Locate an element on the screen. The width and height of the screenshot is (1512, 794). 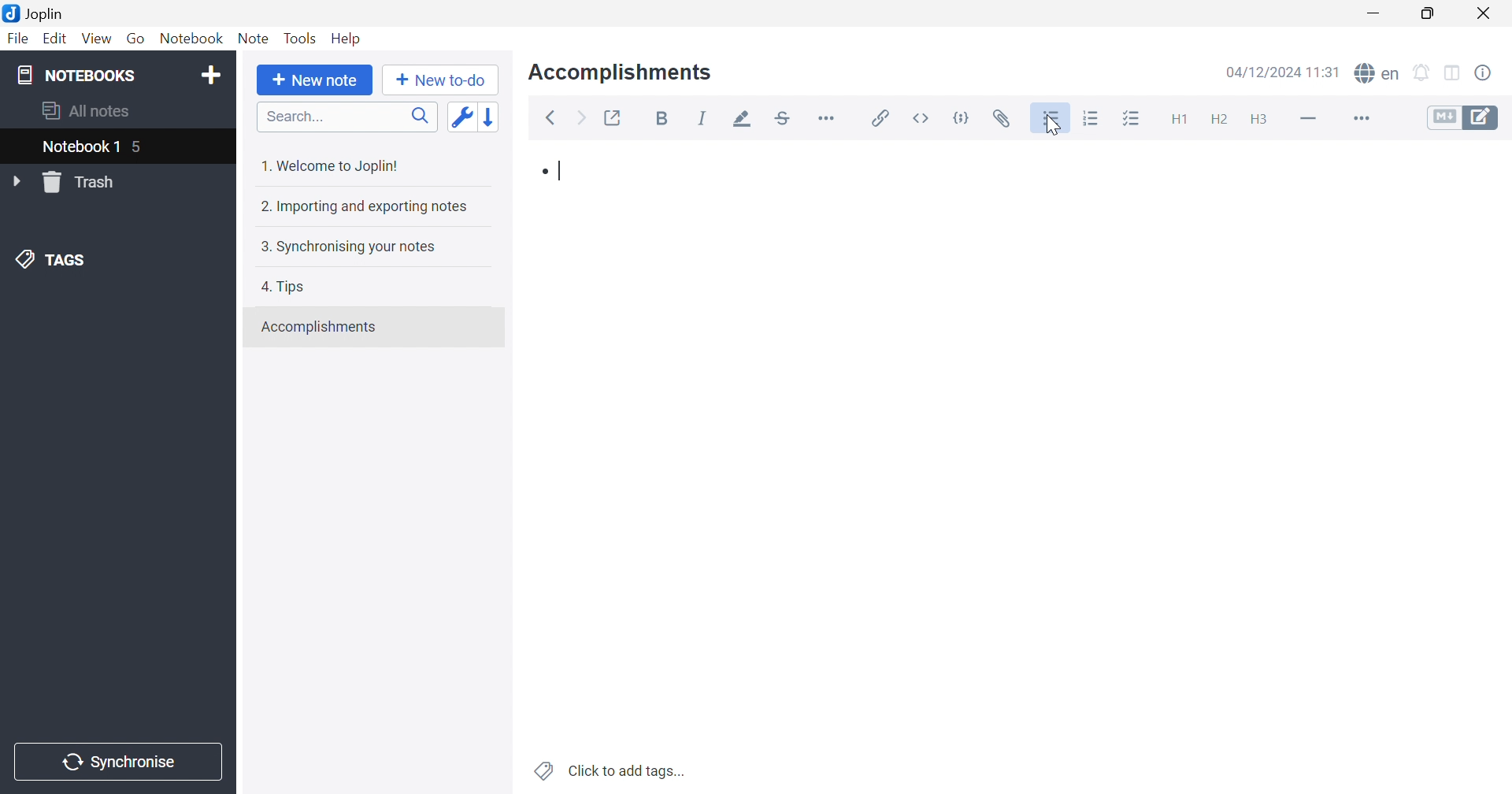
Click to add tags... is located at coordinates (611, 770).